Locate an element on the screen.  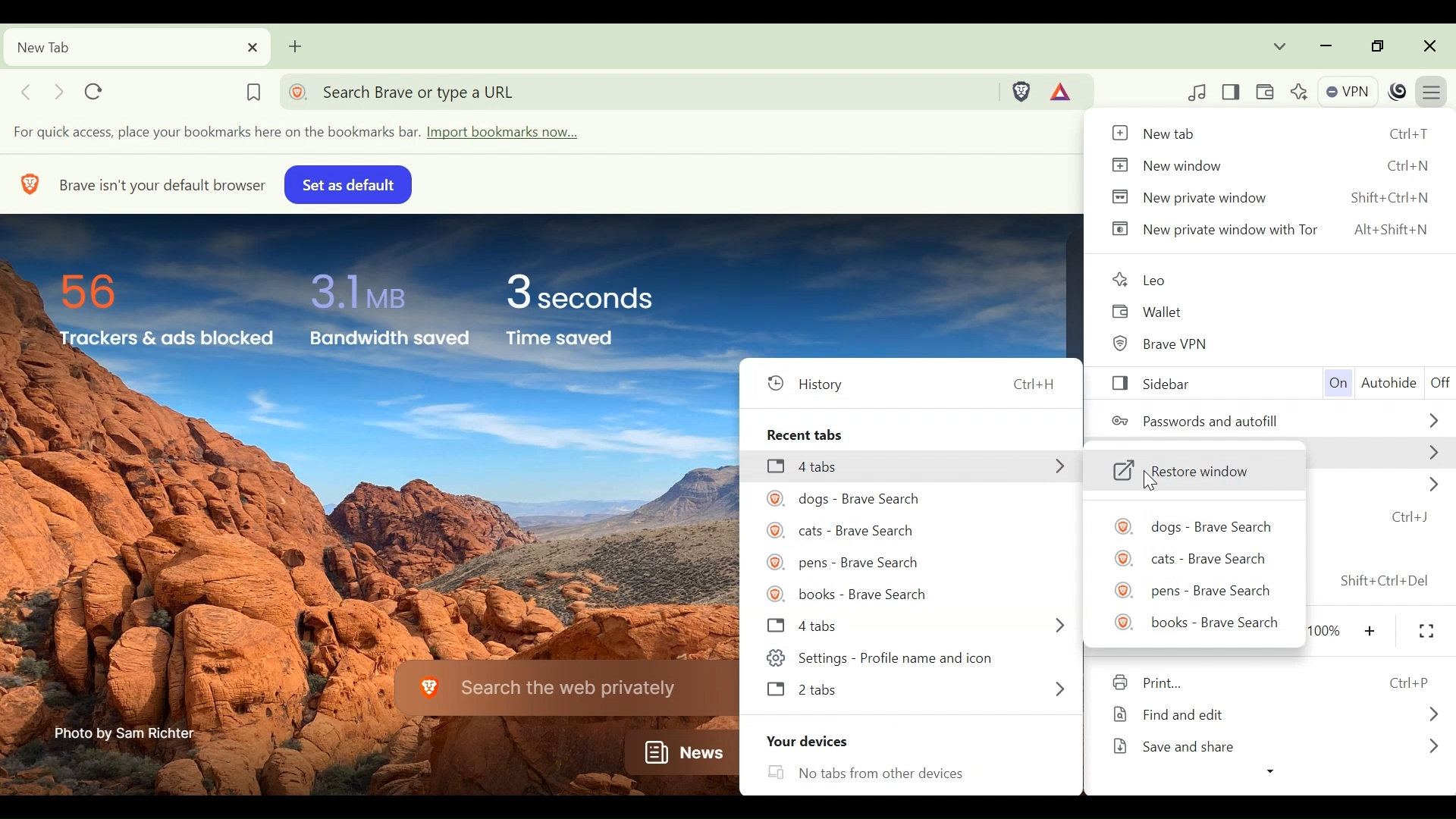
Wallet is located at coordinates (1266, 91).